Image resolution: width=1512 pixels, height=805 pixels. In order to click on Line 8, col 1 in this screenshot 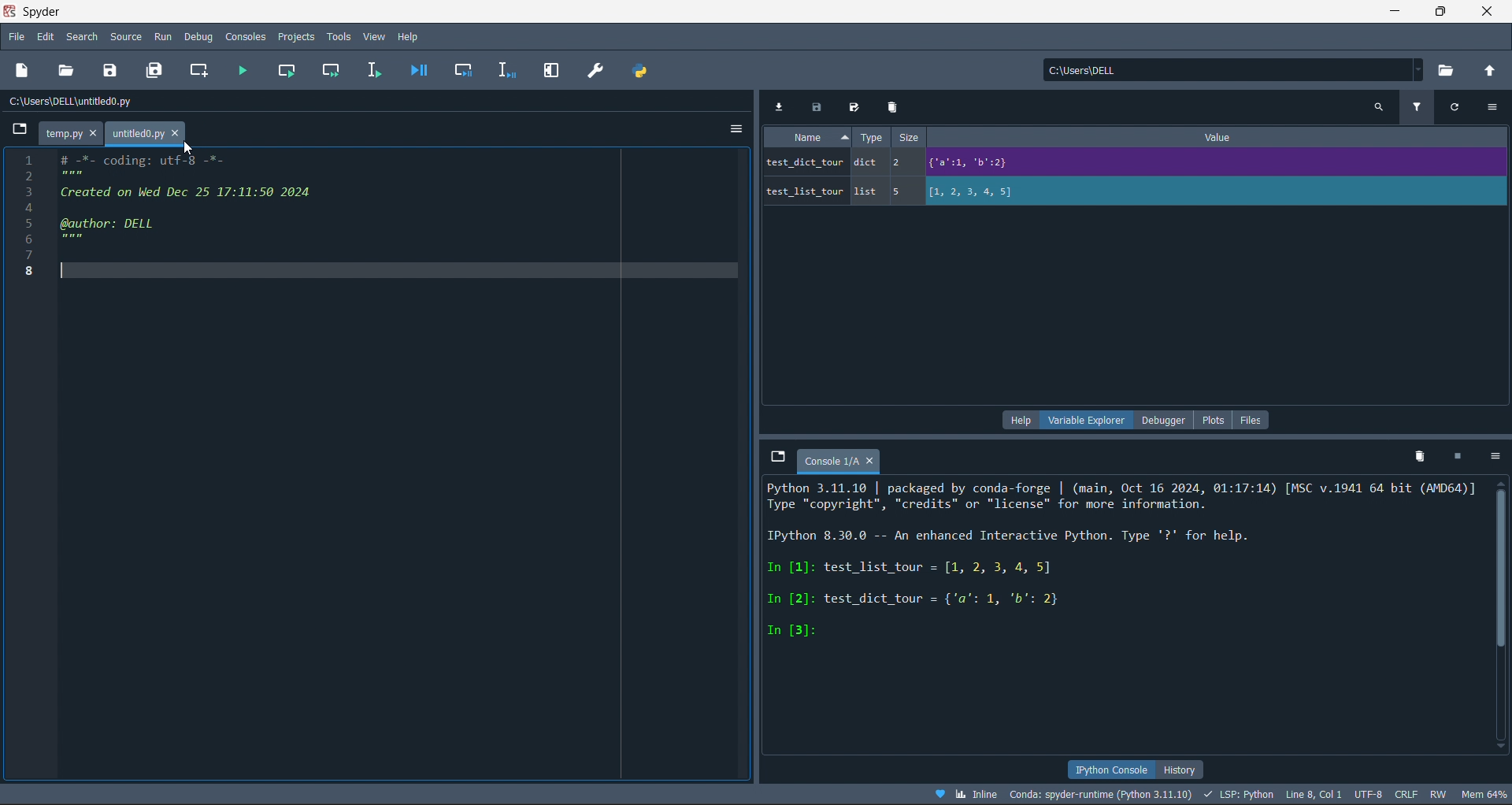, I will do `click(1317, 796)`.